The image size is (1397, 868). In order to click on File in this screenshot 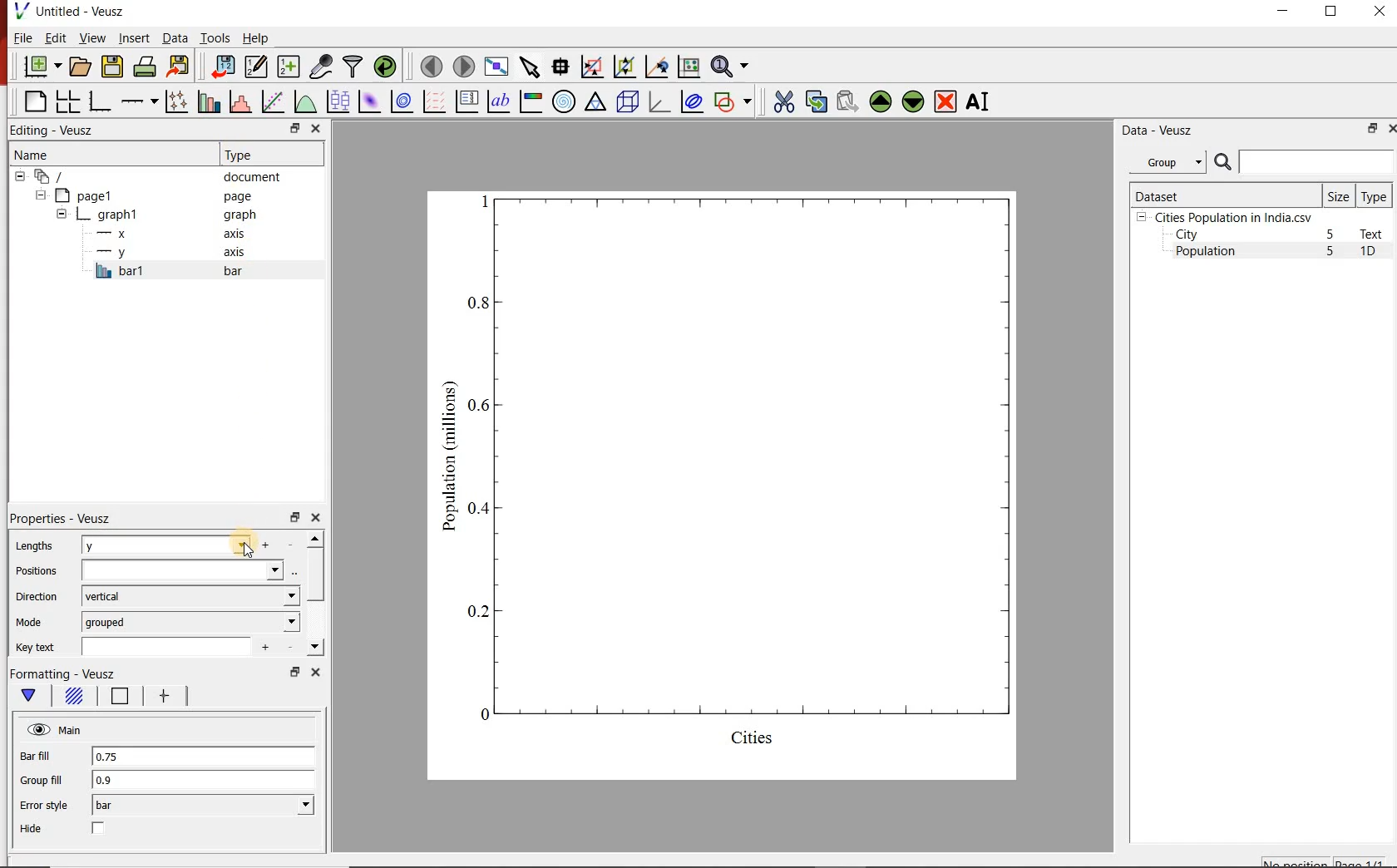, I will do `click(23, 37)`.